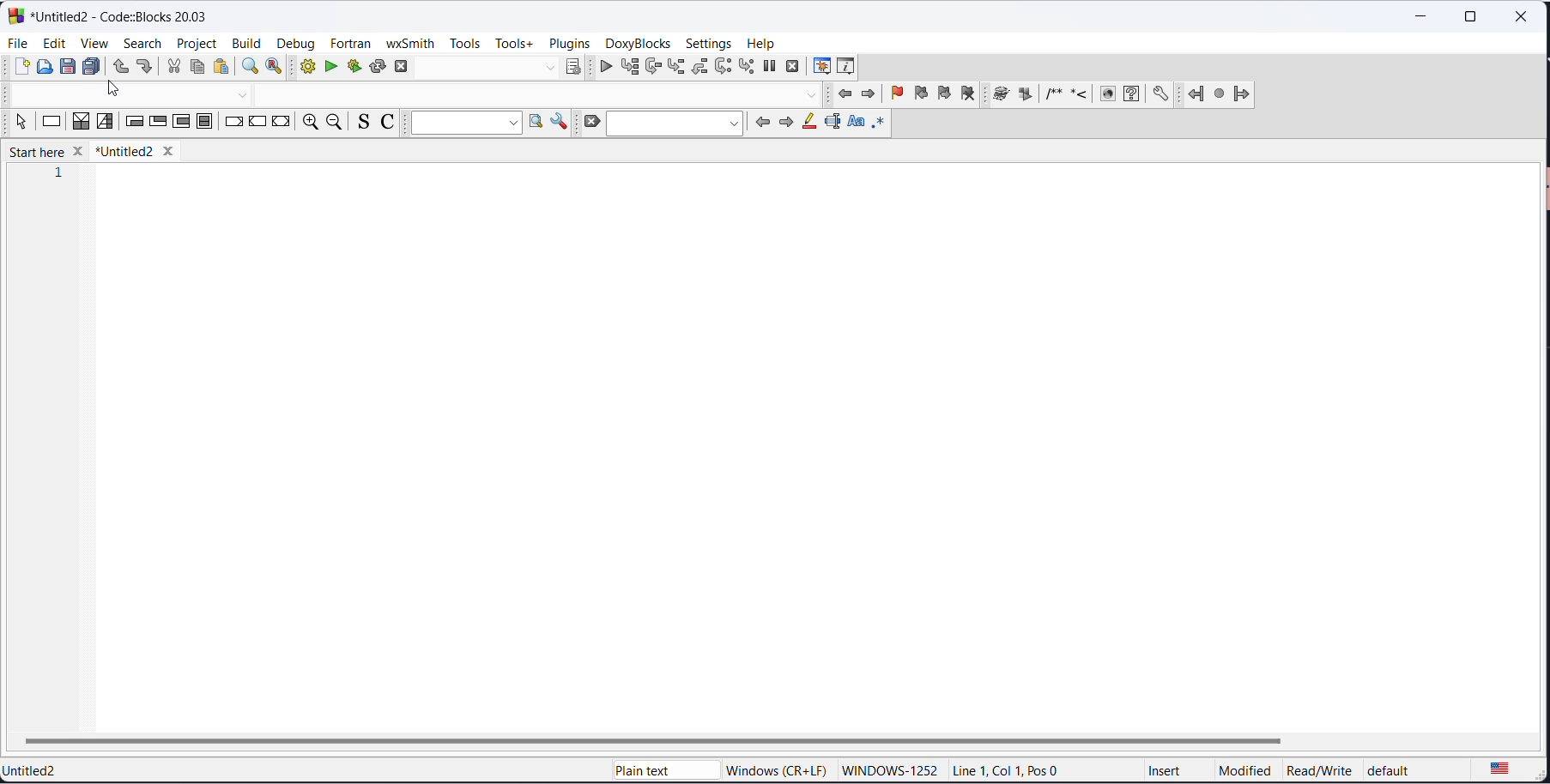 Image resolution: width=1550 pixels, height=784 pixels. Describe the element at coordinates (159, 122) in the screenshot. I see `exit condition loop` at that location.